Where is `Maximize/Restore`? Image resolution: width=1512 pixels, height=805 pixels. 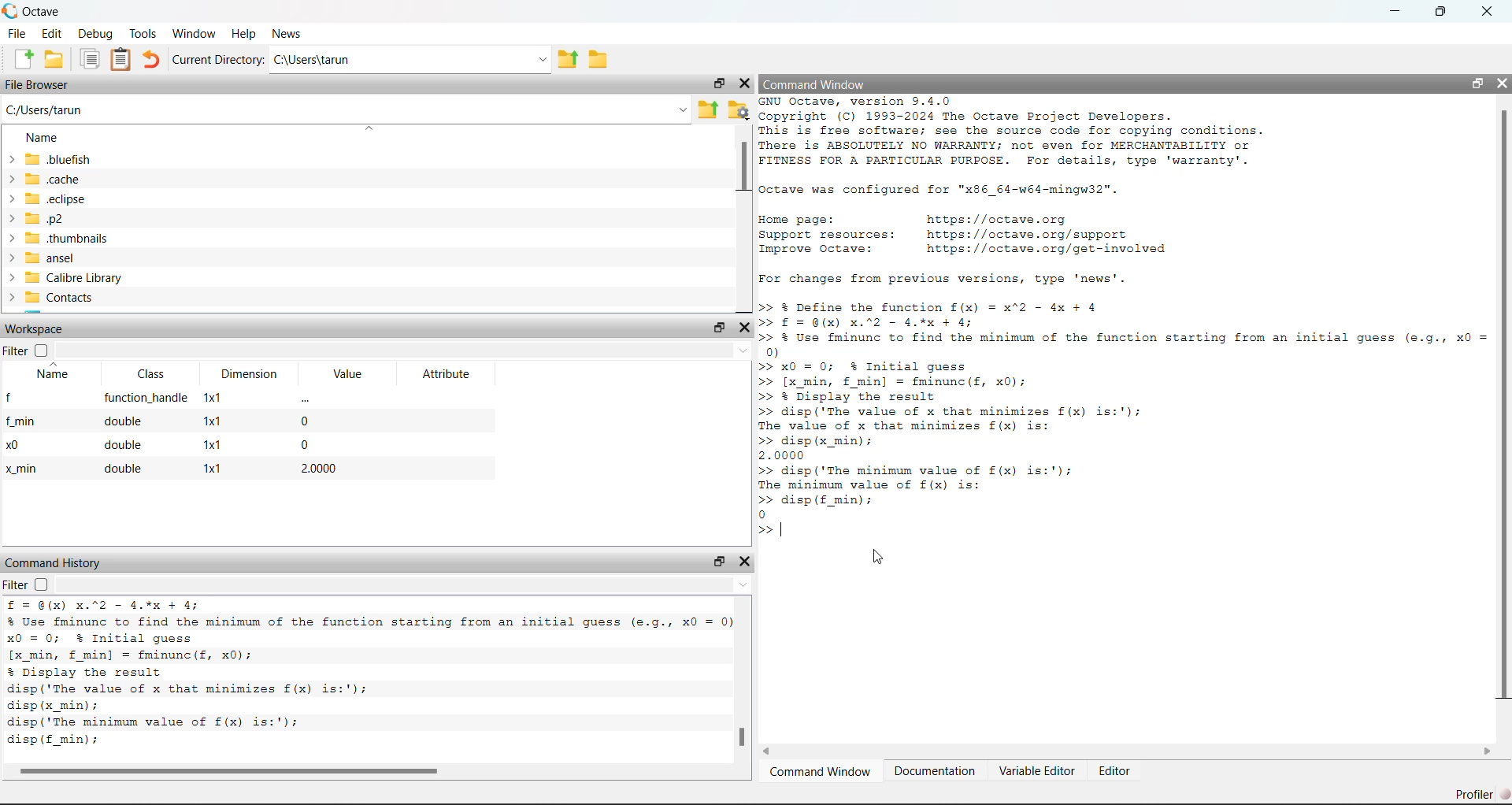 Maximize/Restore is located at coordinates (717, 80).